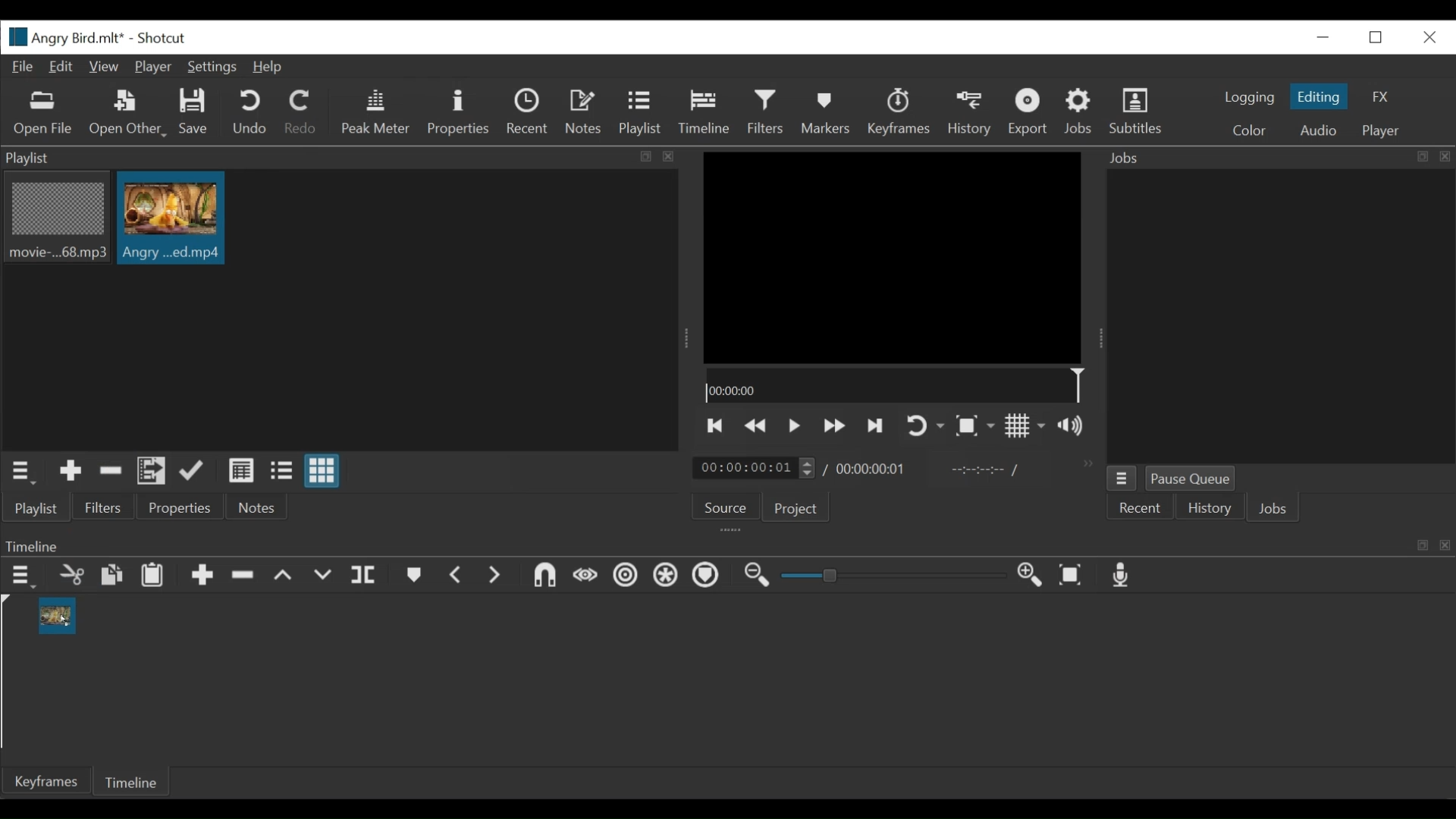 The height and width of the screenshot is (819, 1456). Describe the element at coordinates (284, 473) in the screenshot. I see `View as file` at that location.